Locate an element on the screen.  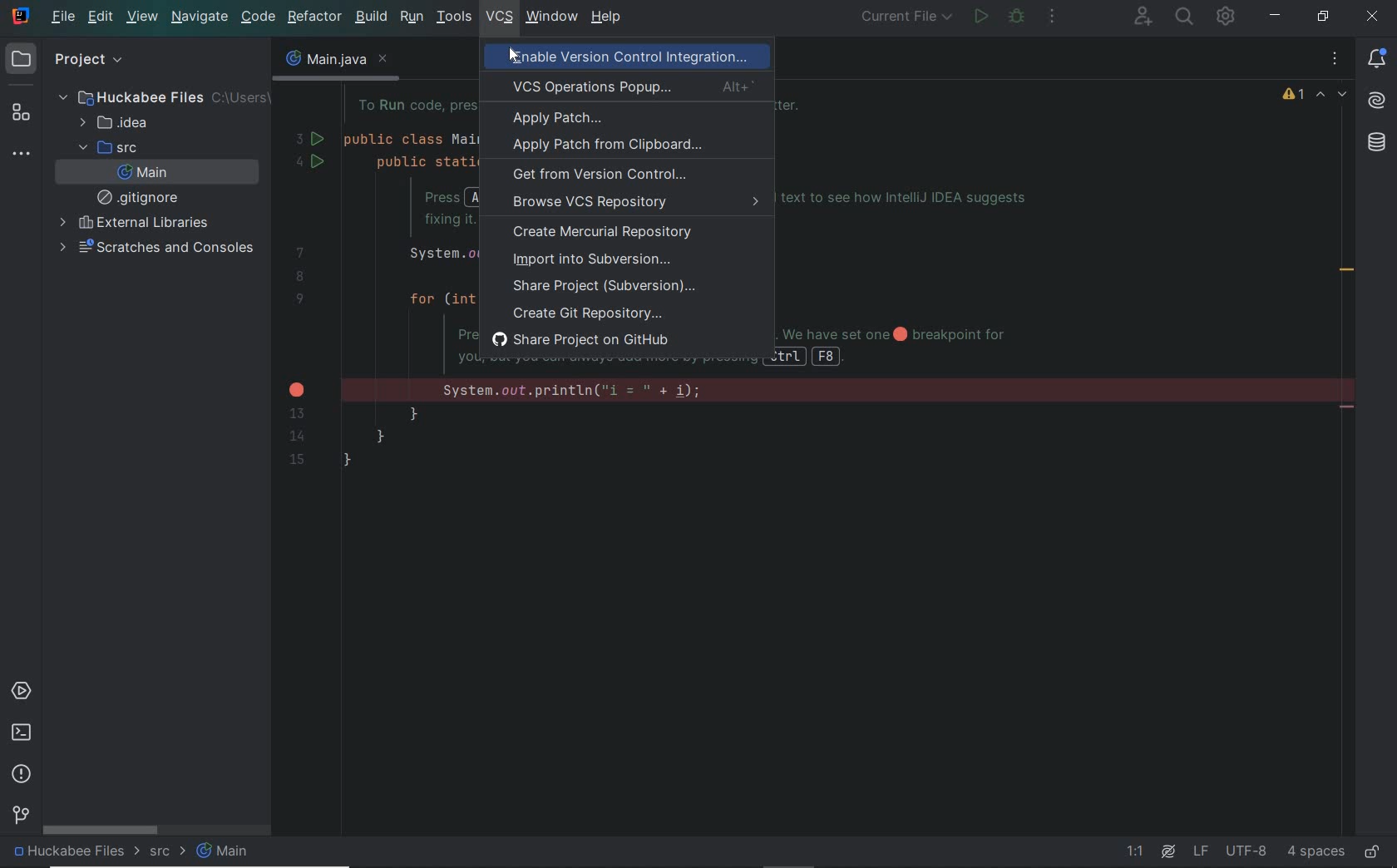
apply patch is located at coordinates (559, 119).